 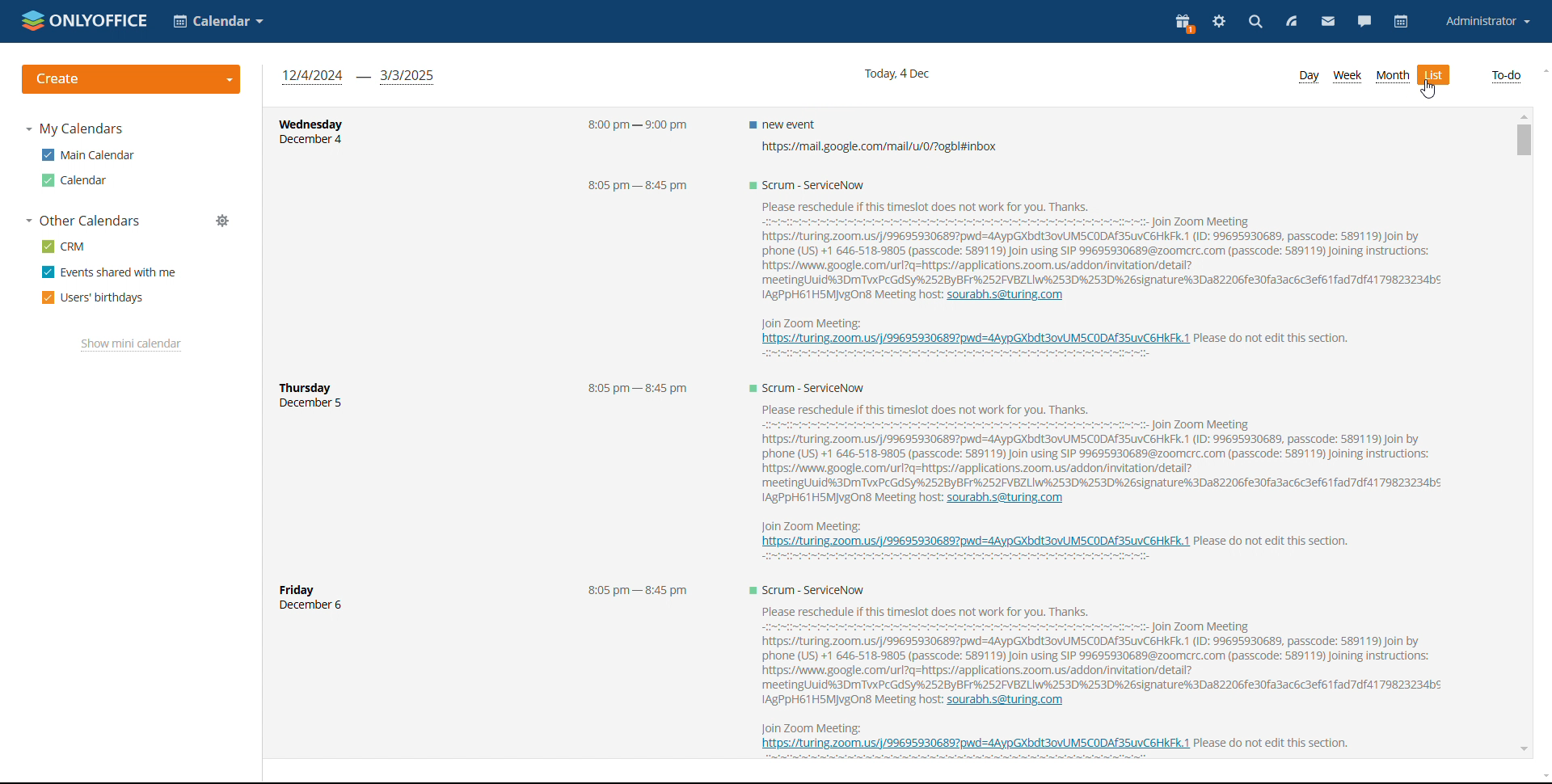 What do you see at coordinates (1329, 23) in the screenshot?
I see `mail` at bounding box center [1329, 23].